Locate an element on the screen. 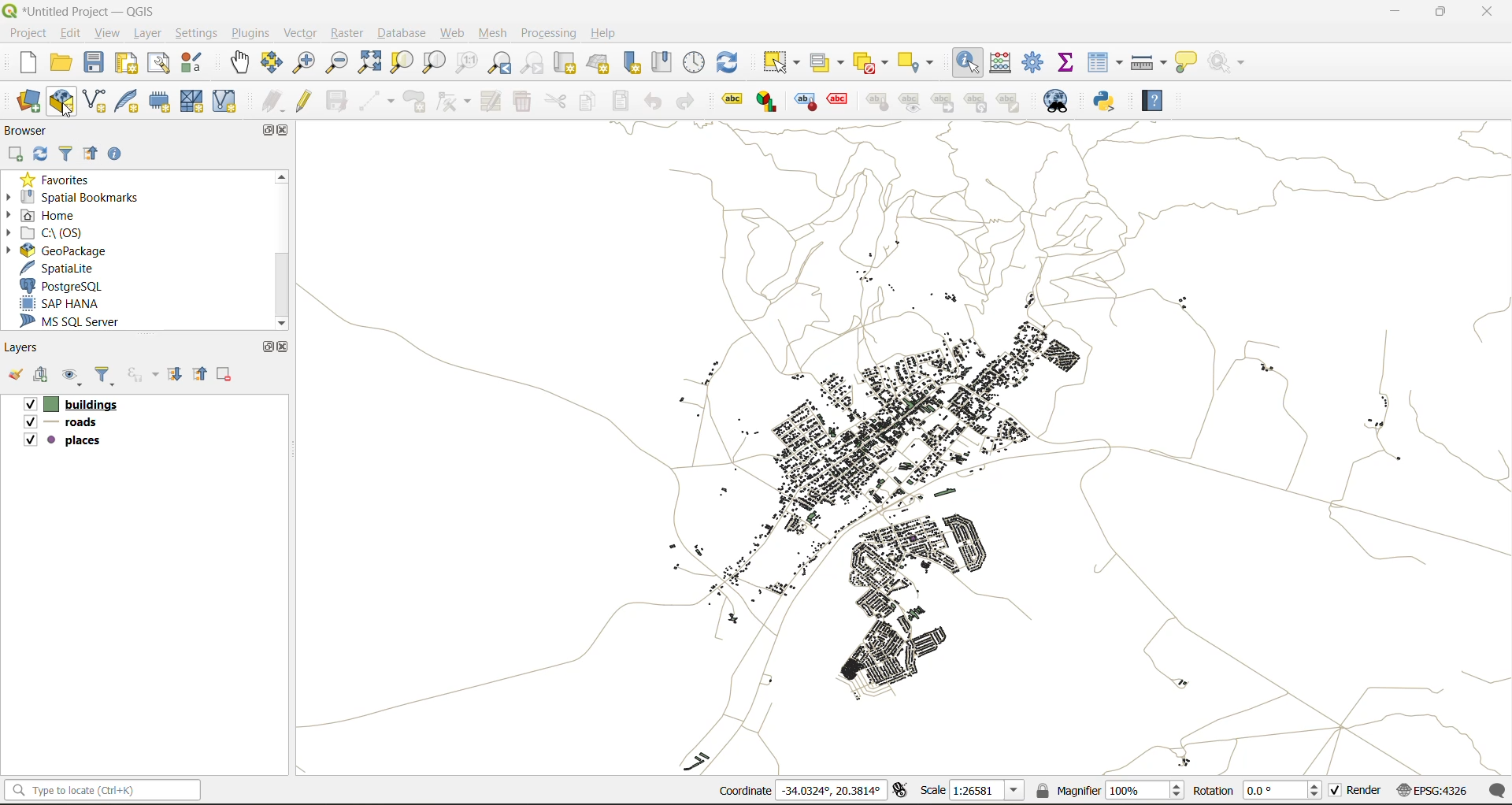  database is located at coordinates (406, 35).